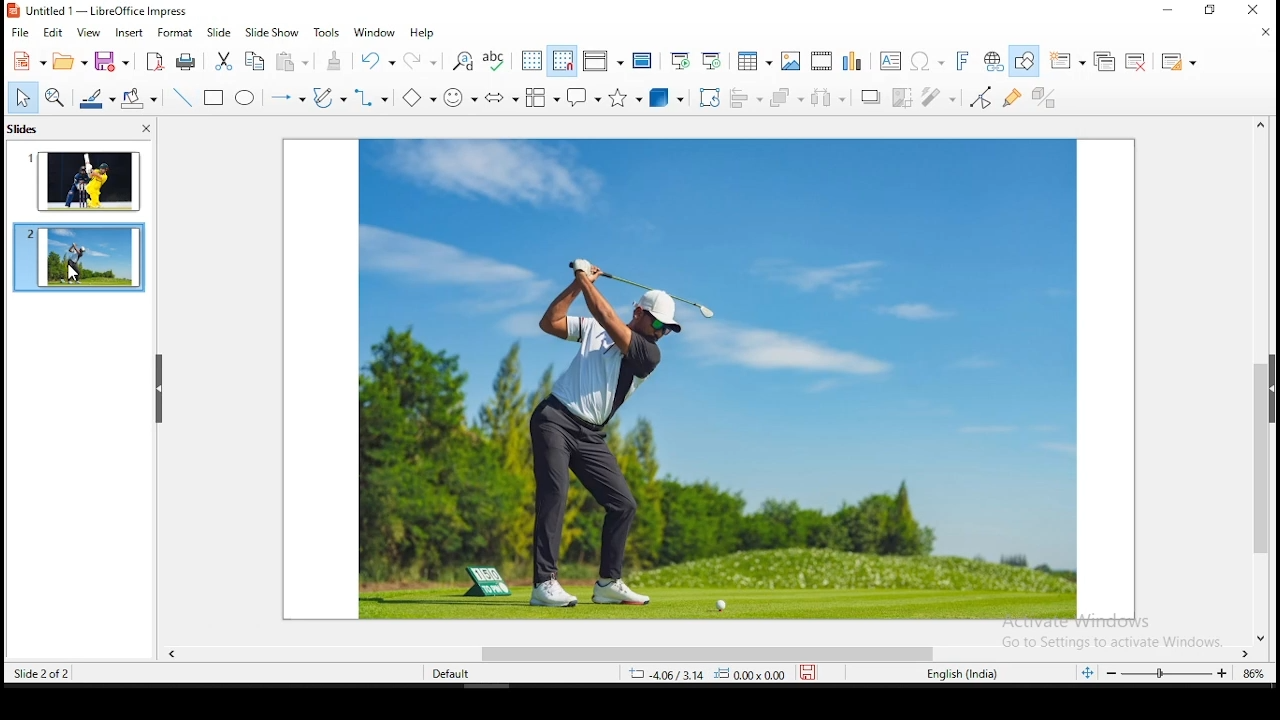  Describe the element at coordinates (218, 32) in the screenshot. I see `slide` at that location.